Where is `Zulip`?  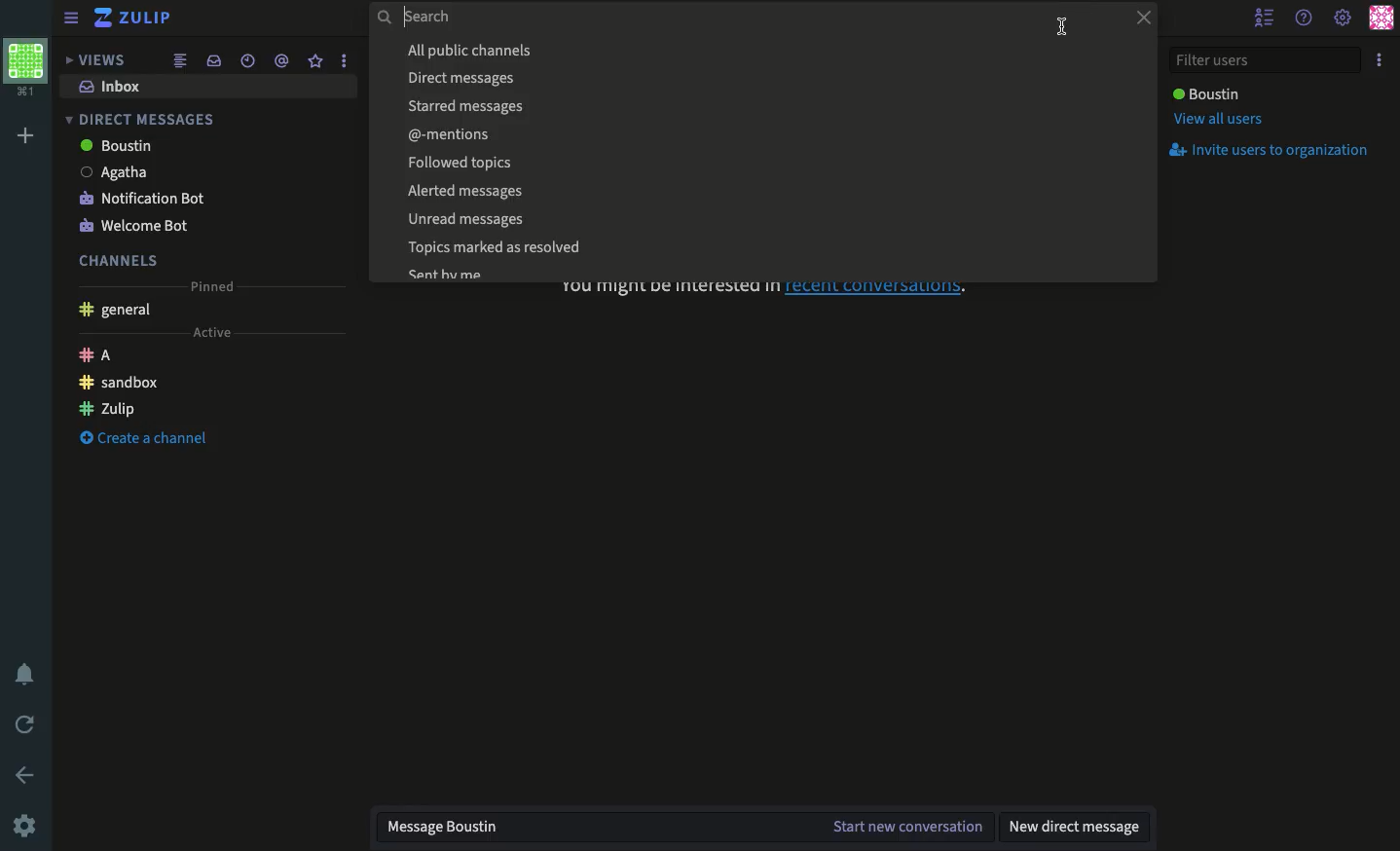 Zulip is located at coordinates (110, 409).